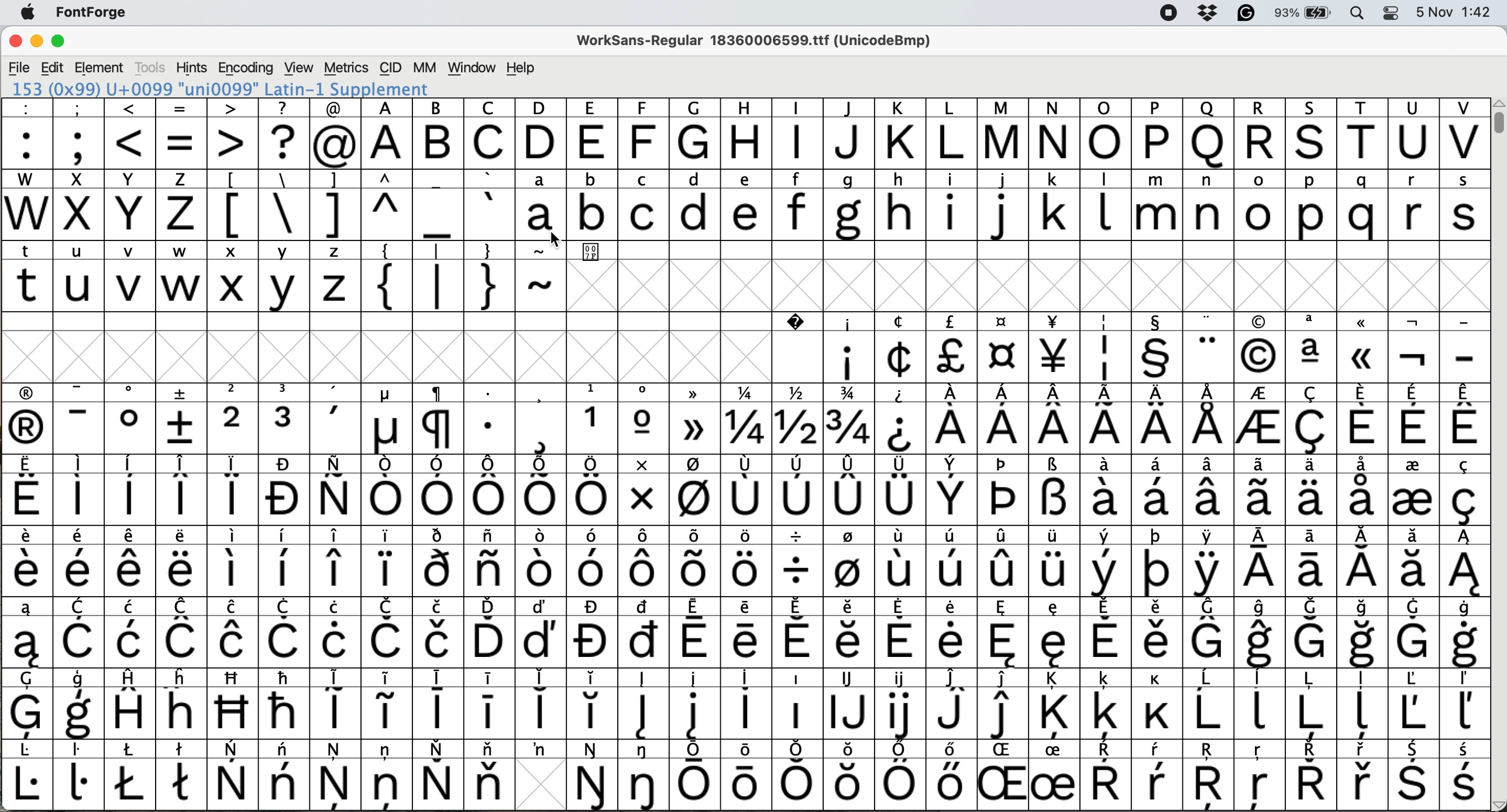  What do you see at coordinates (130, 490) in the screenshot?
I see `symbol` at bounding box center [130, 490].